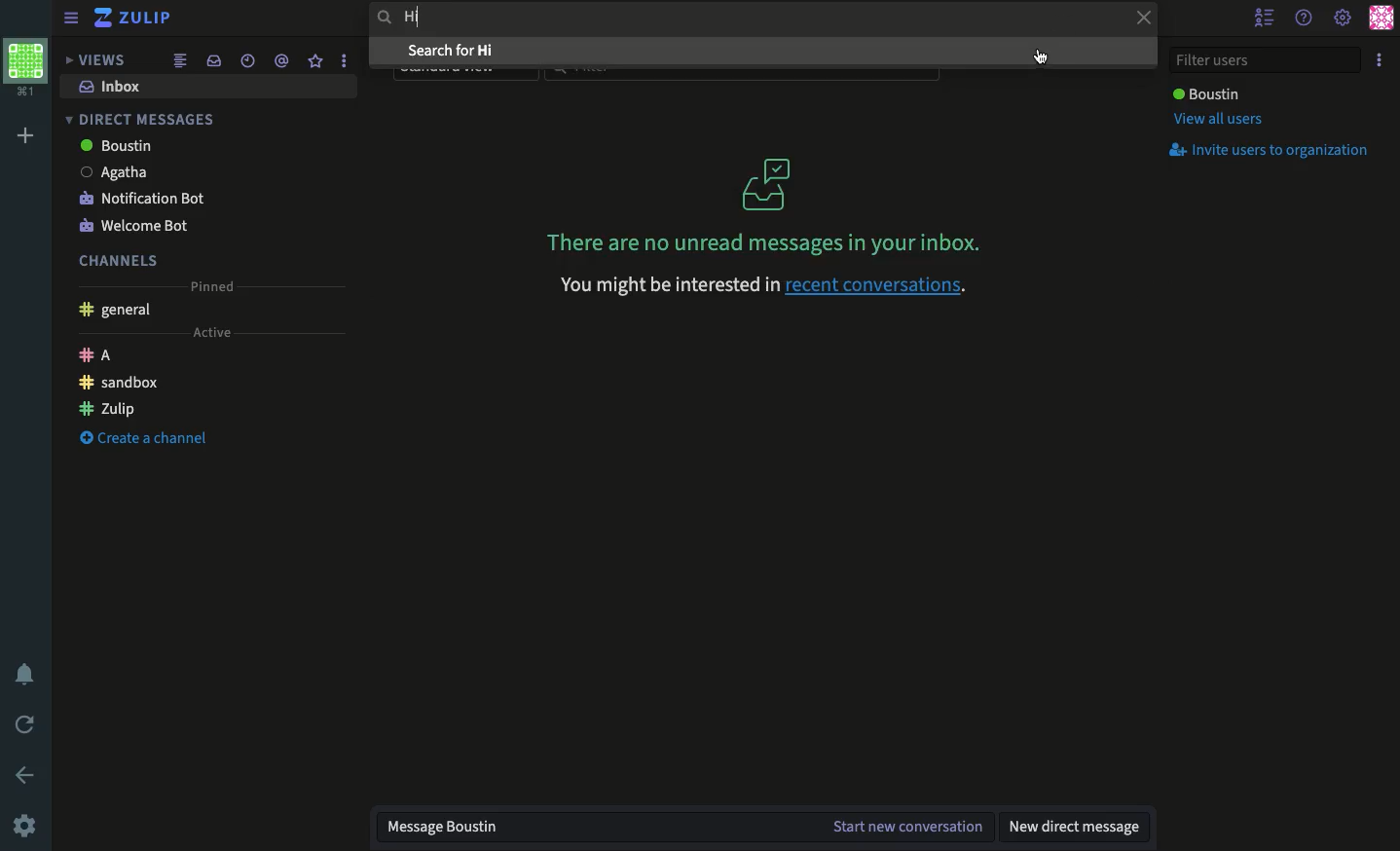 This screenshot has width=1400, height=851. Describe the element at coordinates (129, 172) in the screenshot. I see `agatha` at that location.